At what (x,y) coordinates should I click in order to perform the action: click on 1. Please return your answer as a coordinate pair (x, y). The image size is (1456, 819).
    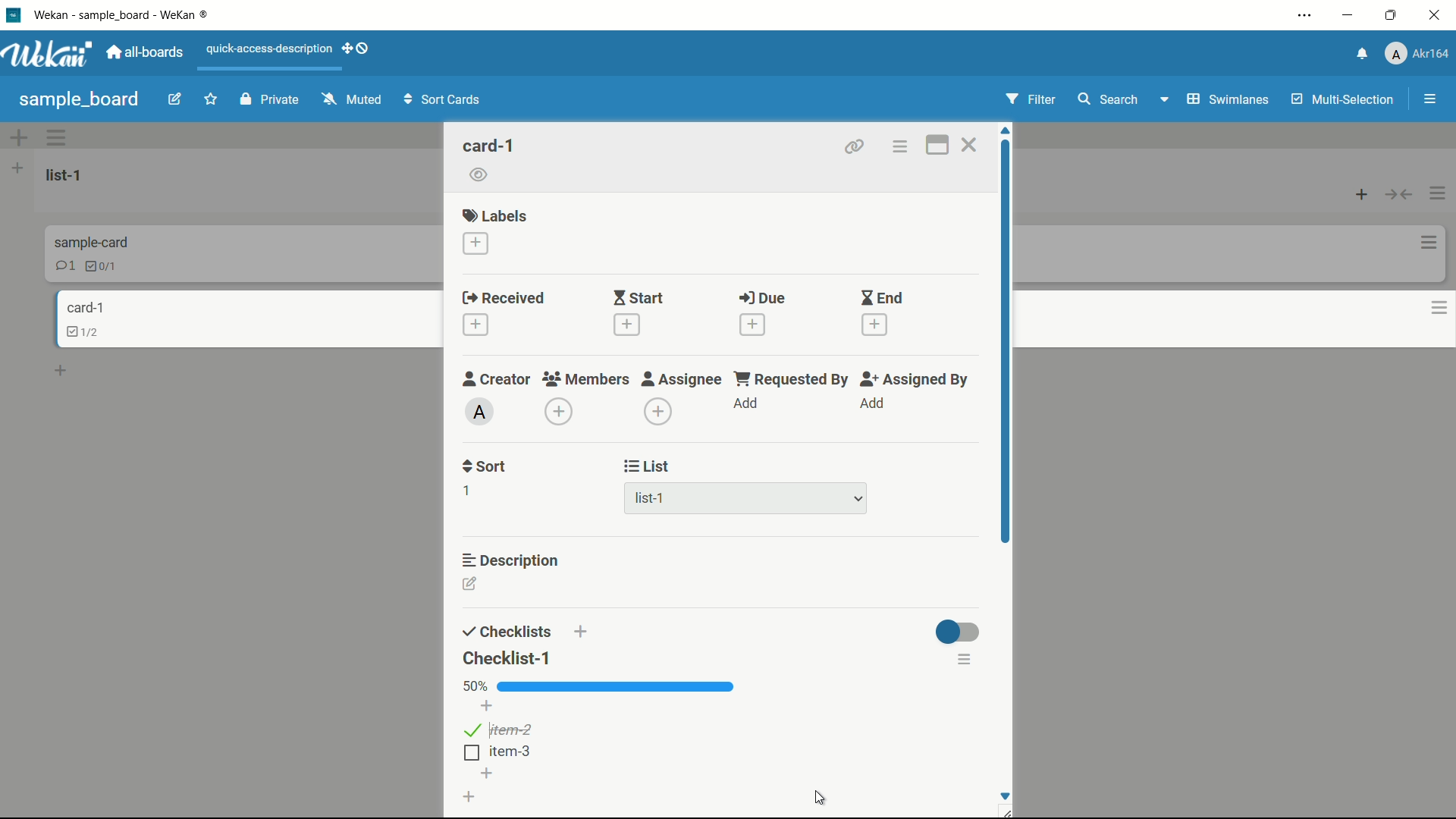
    Looking at the image, I should click on (467, 493).